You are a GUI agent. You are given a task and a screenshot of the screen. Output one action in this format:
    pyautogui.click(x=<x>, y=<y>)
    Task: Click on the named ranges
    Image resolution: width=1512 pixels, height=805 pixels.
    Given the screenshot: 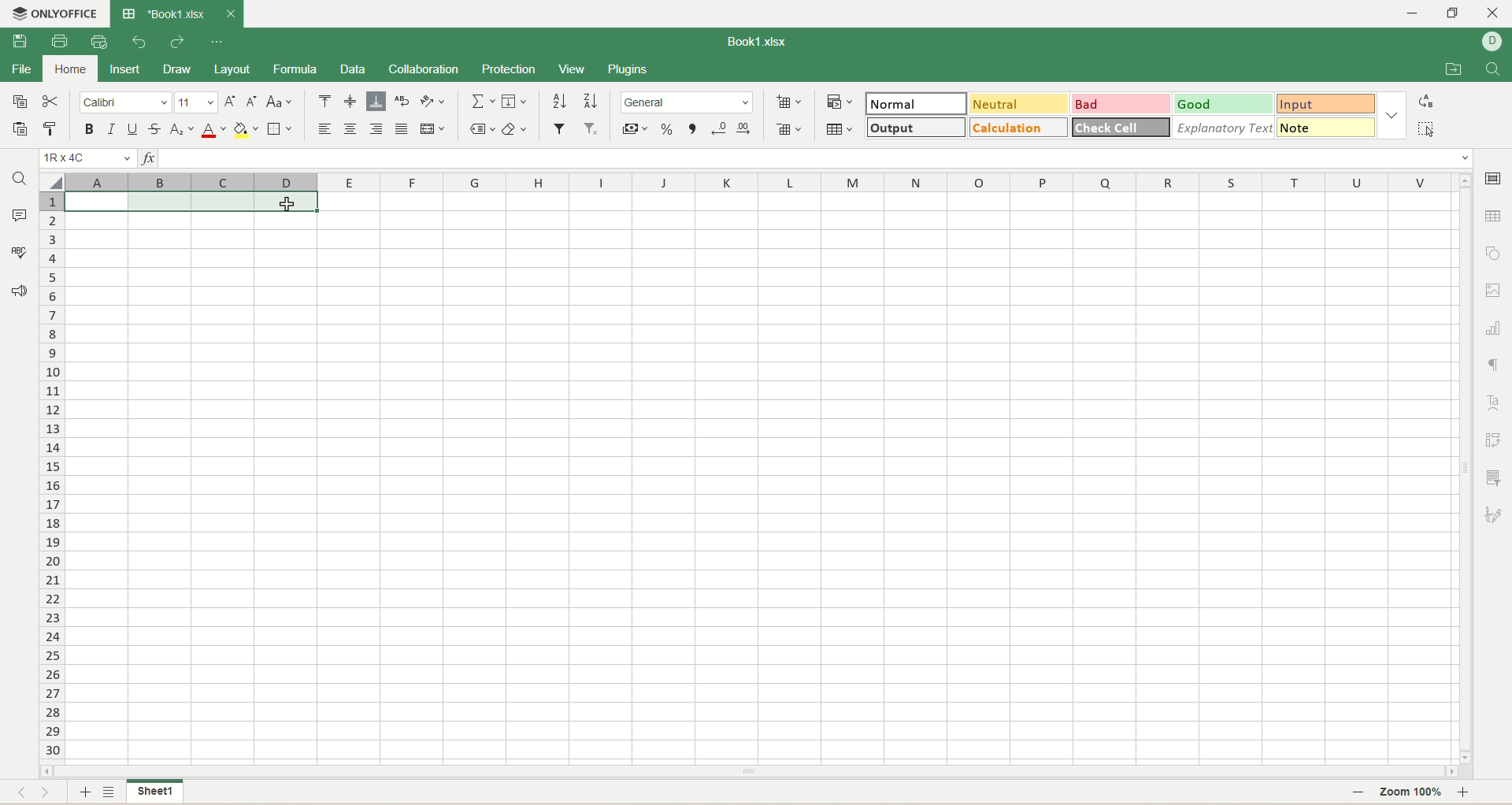 What is the action you would take?
    pyautogui.click(x=483, y=129)
    